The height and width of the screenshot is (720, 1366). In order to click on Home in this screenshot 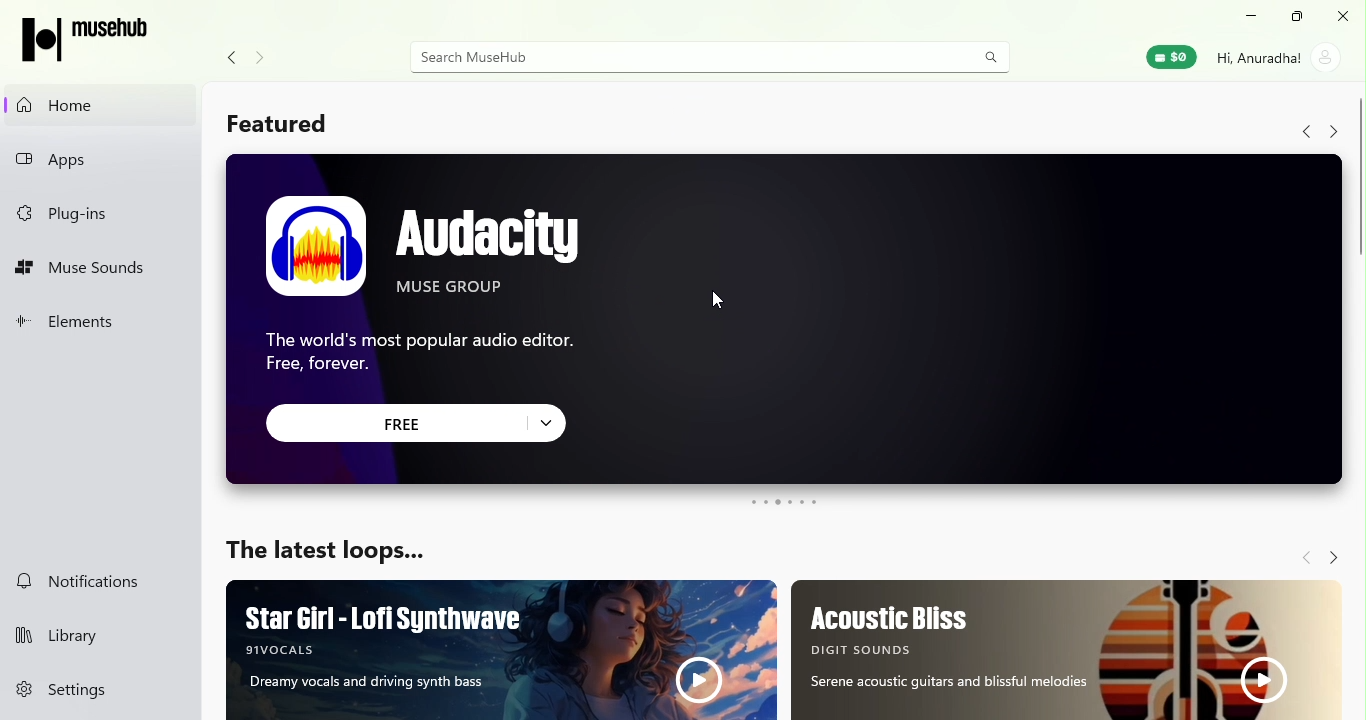, I will do `click(99, 104)`.